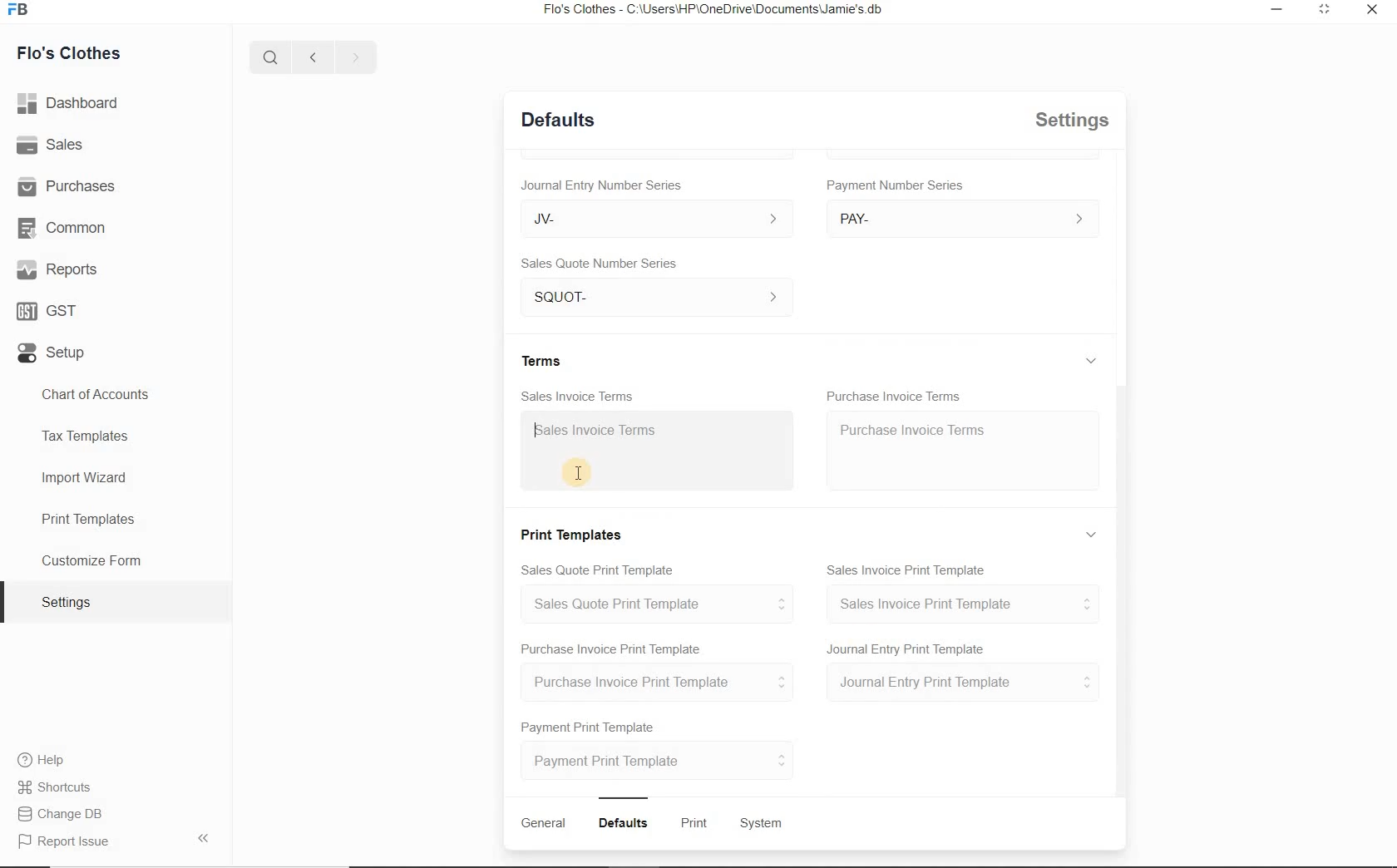 The height and width of the screenshot is (868, 1397). I want to click on Terms, so click(541, 359).